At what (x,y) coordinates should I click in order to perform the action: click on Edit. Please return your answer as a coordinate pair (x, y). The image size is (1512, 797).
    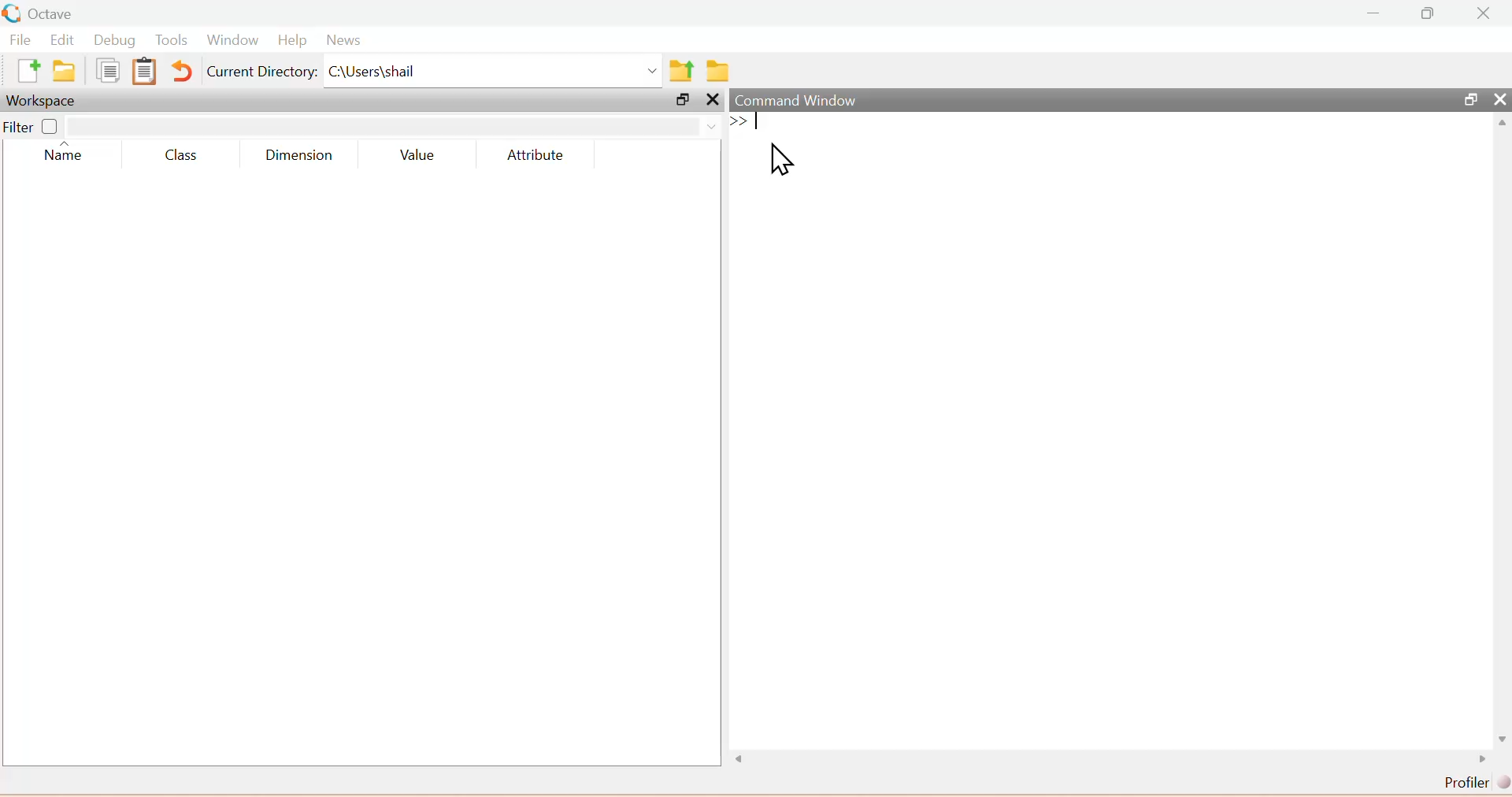
    Looking at the image, I should click on (64, 40).